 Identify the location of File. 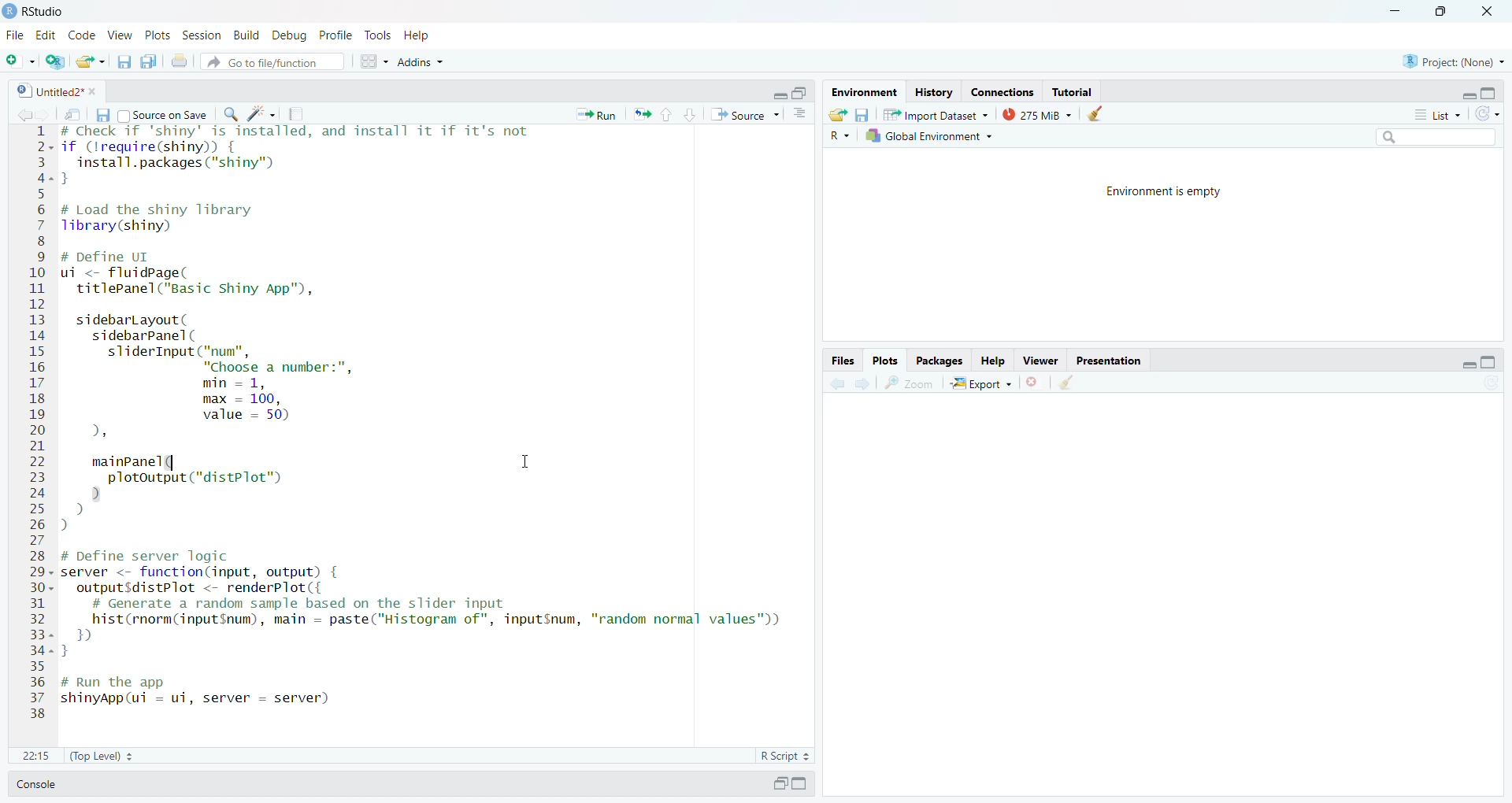
(16, 35).